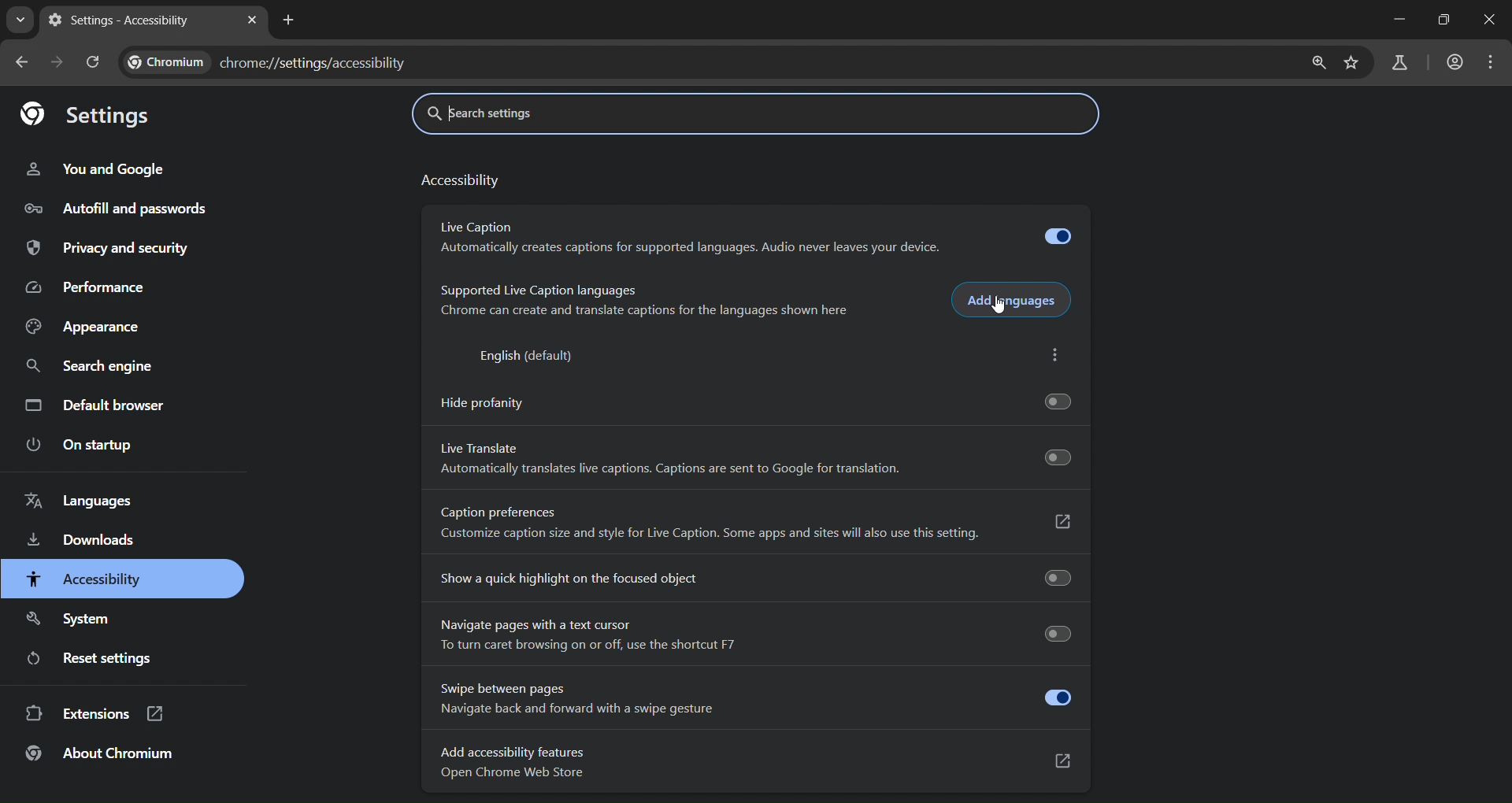 This screenshot has width=1512, height=803. Describe the element at coordinates (77, 501) in the screenshot. I see `languages` at that location.